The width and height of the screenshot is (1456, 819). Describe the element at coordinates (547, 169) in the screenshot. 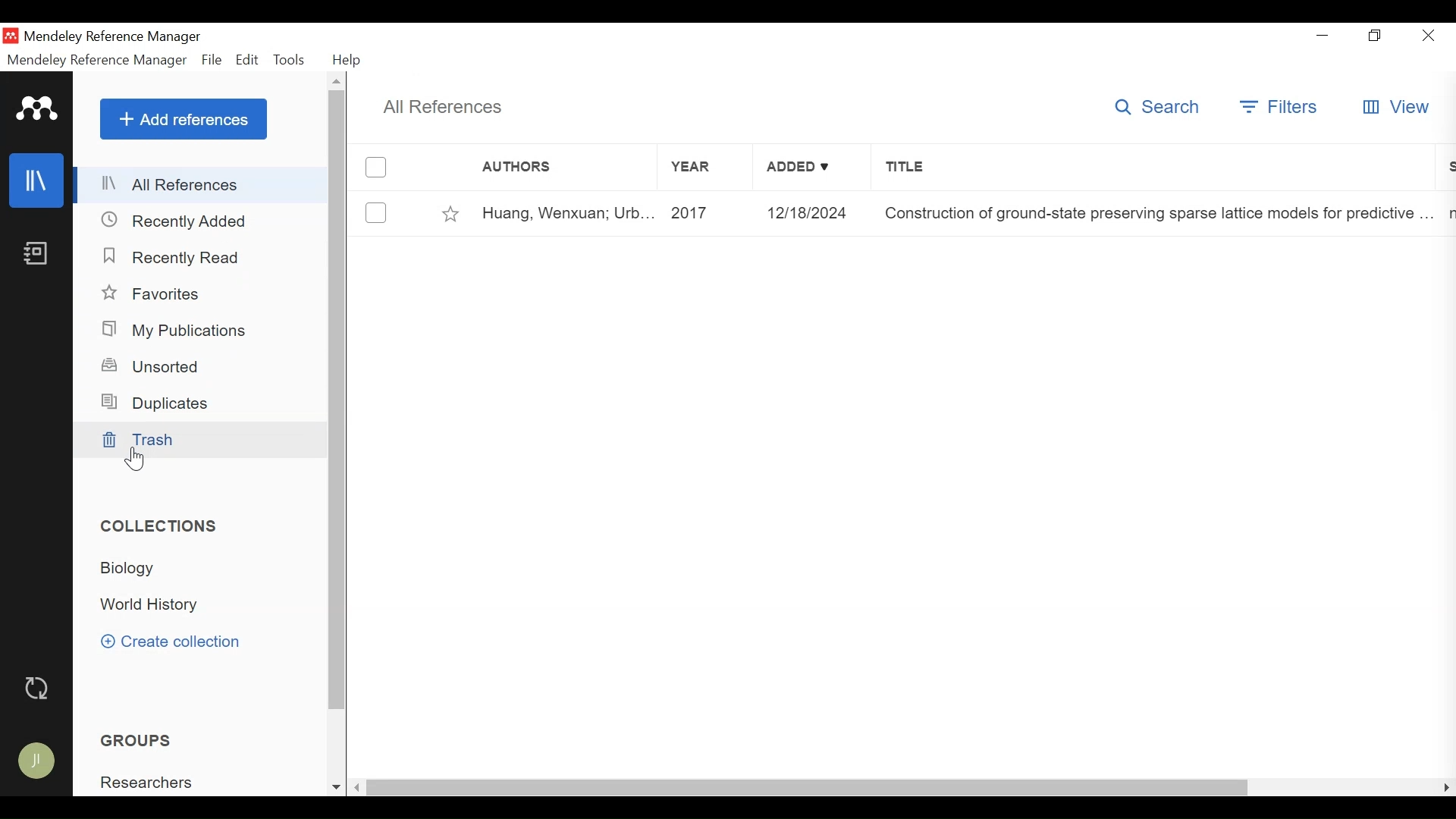

I see `Authors` at that location.